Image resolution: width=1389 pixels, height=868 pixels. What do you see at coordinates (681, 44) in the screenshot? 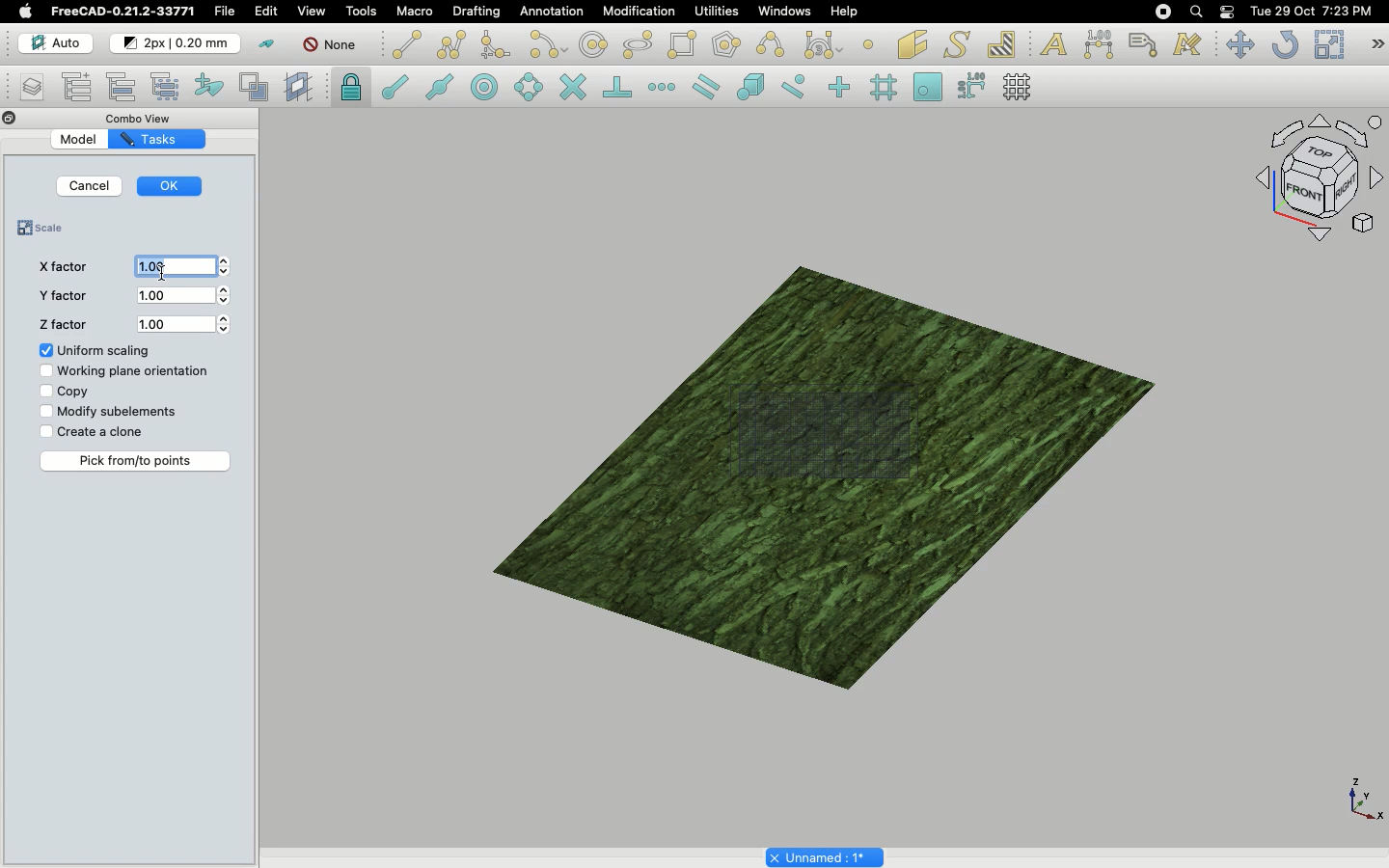
I see `Rectangle` at bounding box center [681, 44].